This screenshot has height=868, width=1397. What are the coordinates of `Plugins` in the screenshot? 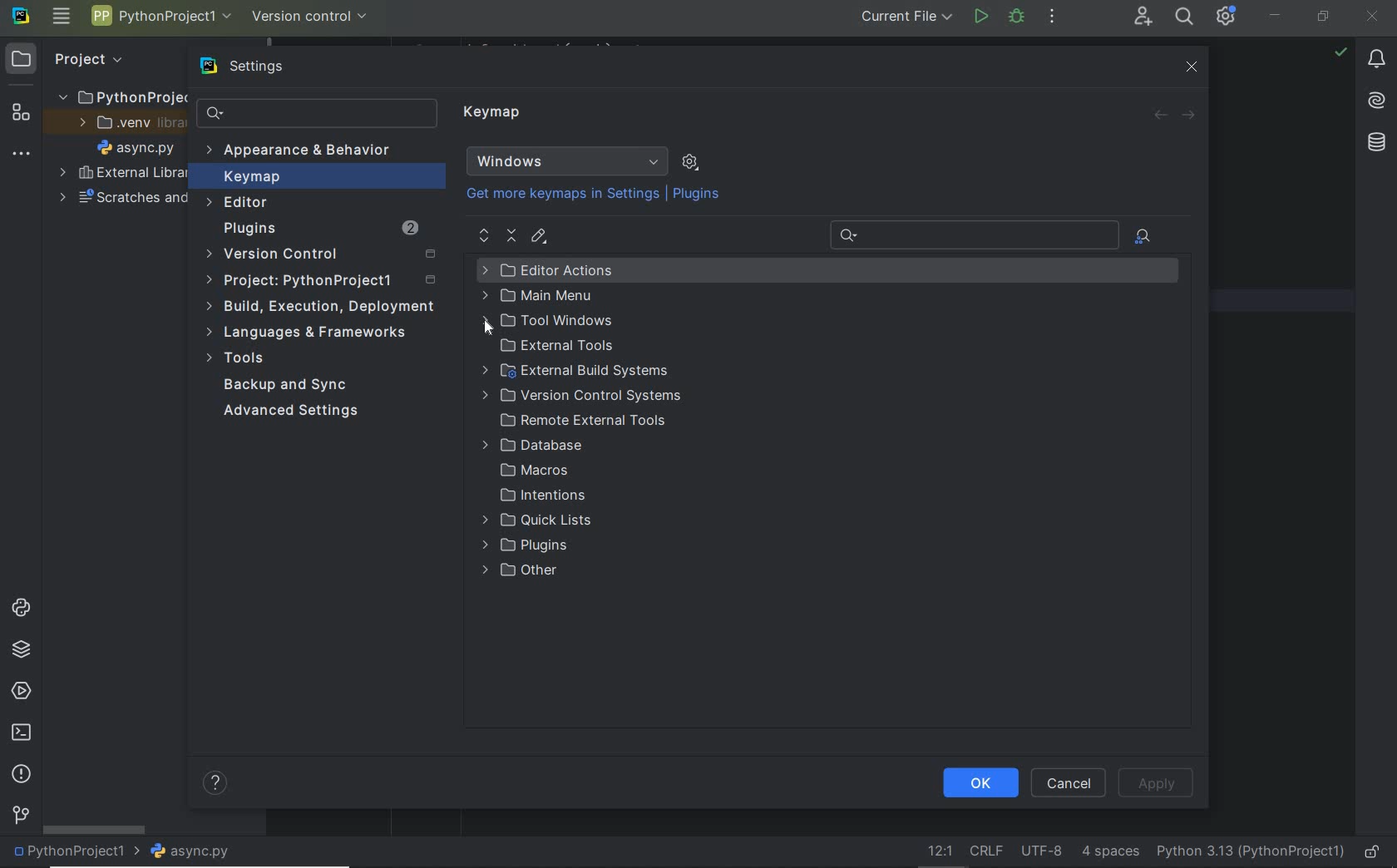 It's located at (318, 229).